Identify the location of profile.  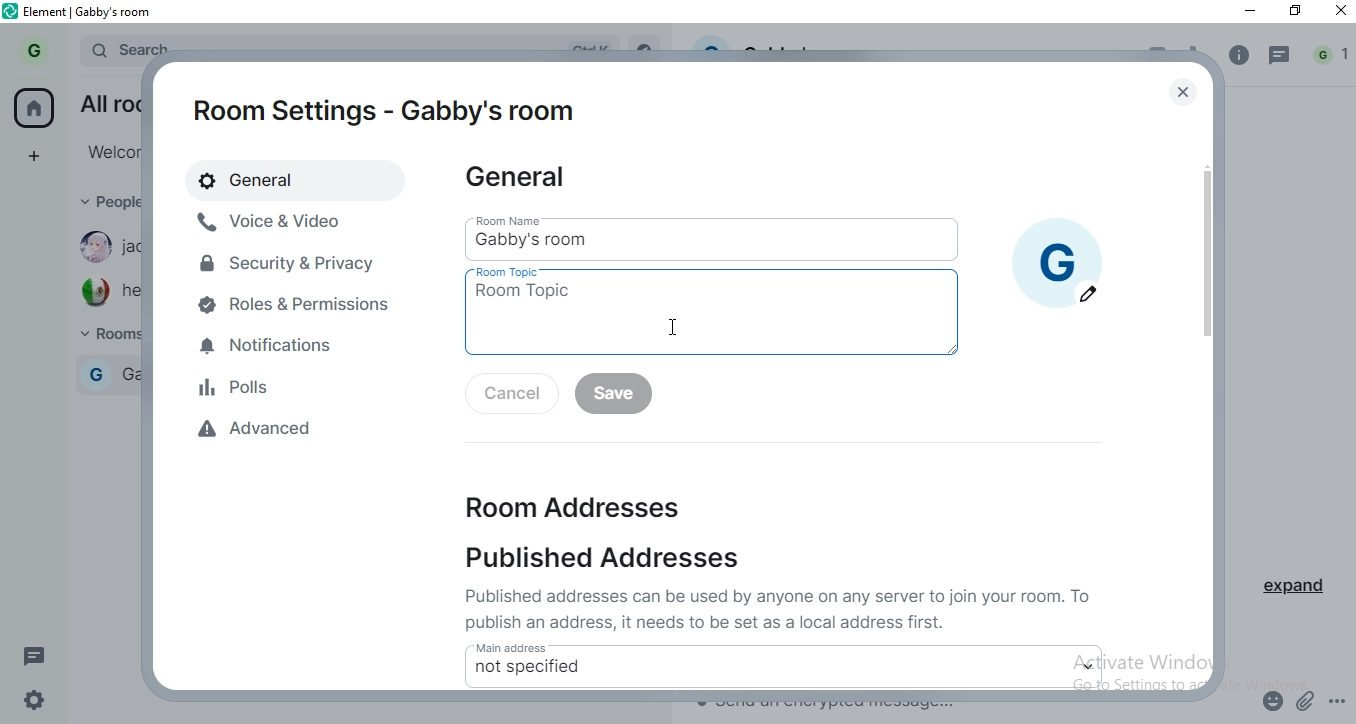
(32, 50).